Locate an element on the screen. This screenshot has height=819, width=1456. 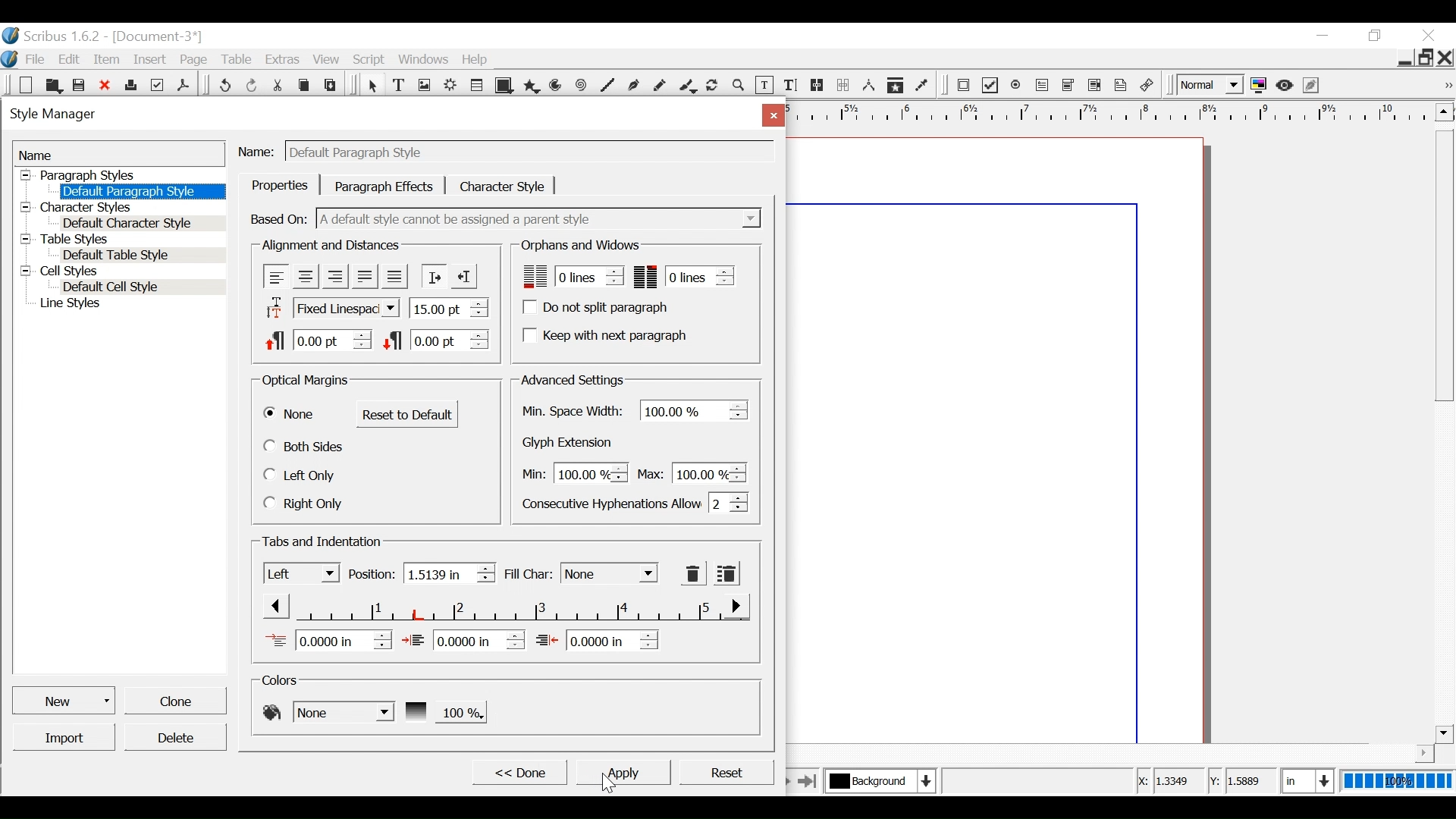
Delete is located at coordinates (174, 737).